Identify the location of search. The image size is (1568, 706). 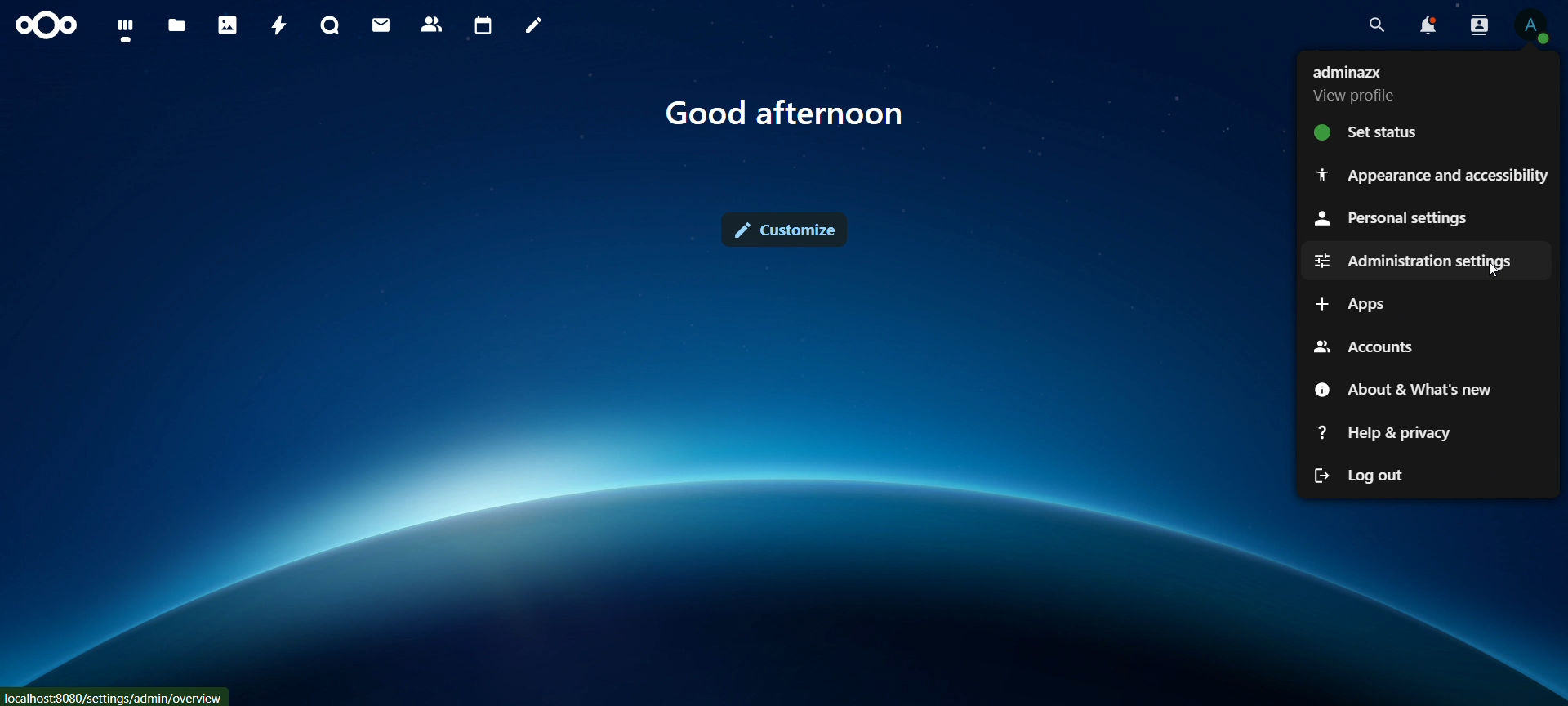
(1379, 25).